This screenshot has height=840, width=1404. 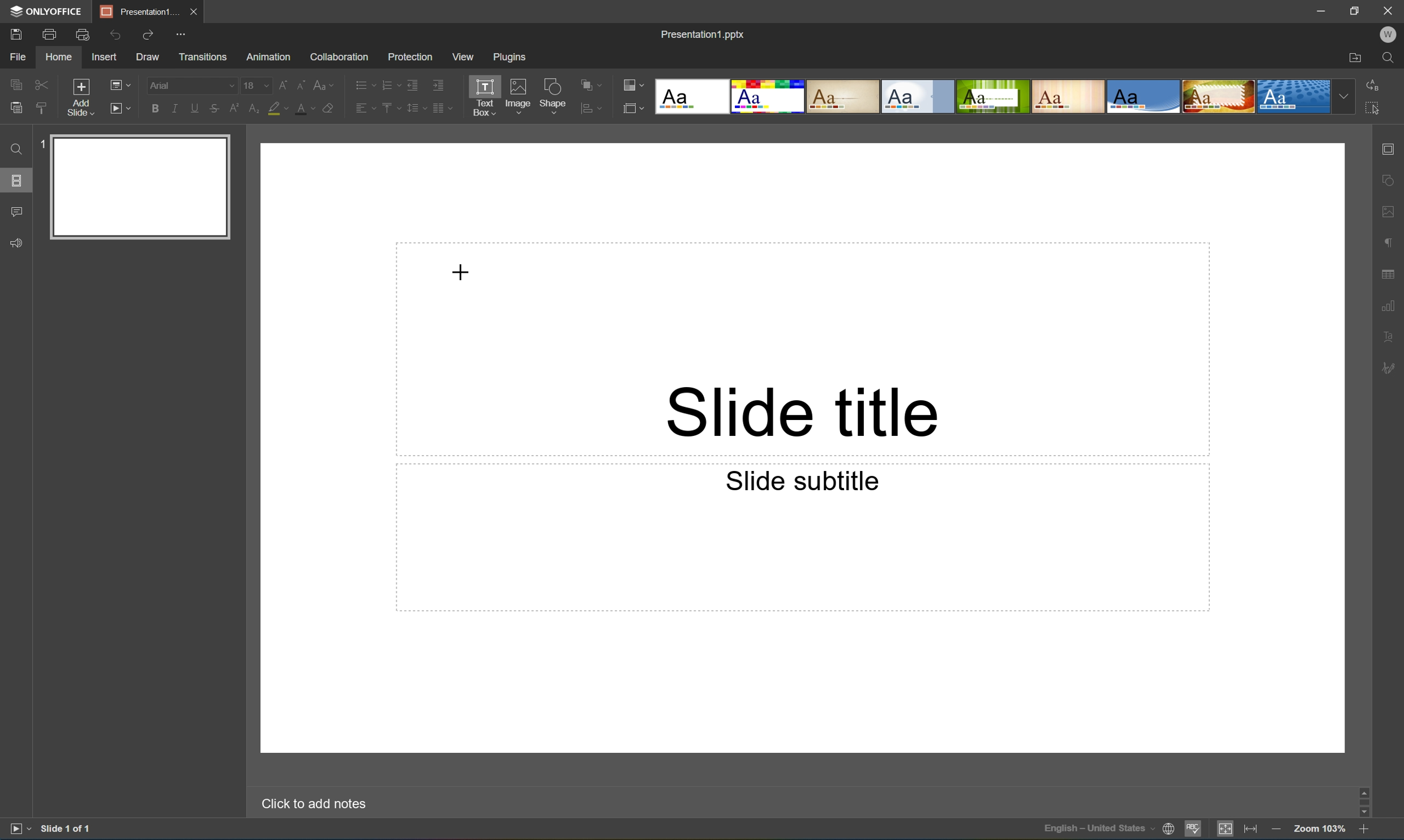 What do you see at coordinates (83, 35) in the screenshot?
I see `Print preview` at bounding box center [83, 35].